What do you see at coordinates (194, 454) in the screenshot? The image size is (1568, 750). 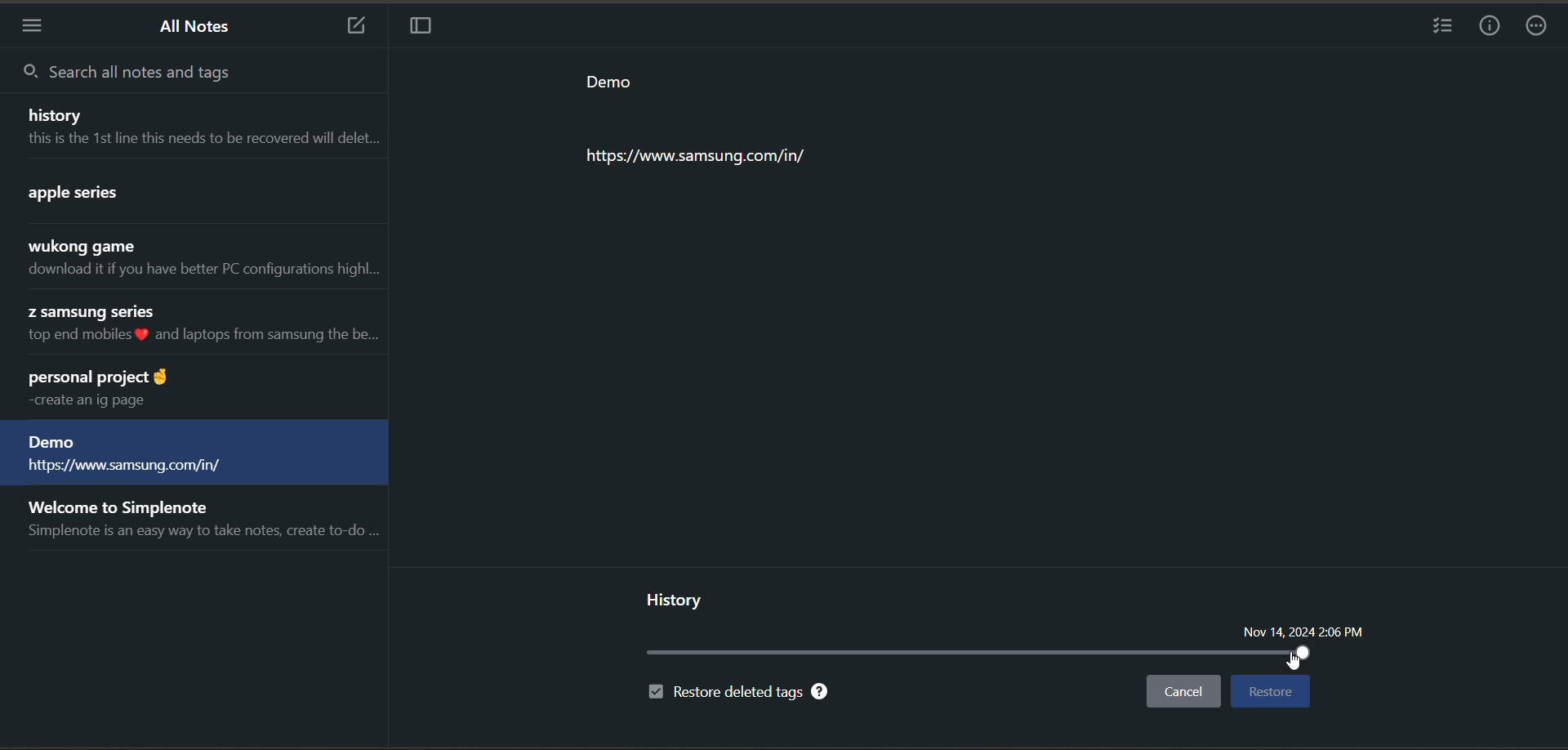 I see `note title and preview` at bounding box center [194, 454].